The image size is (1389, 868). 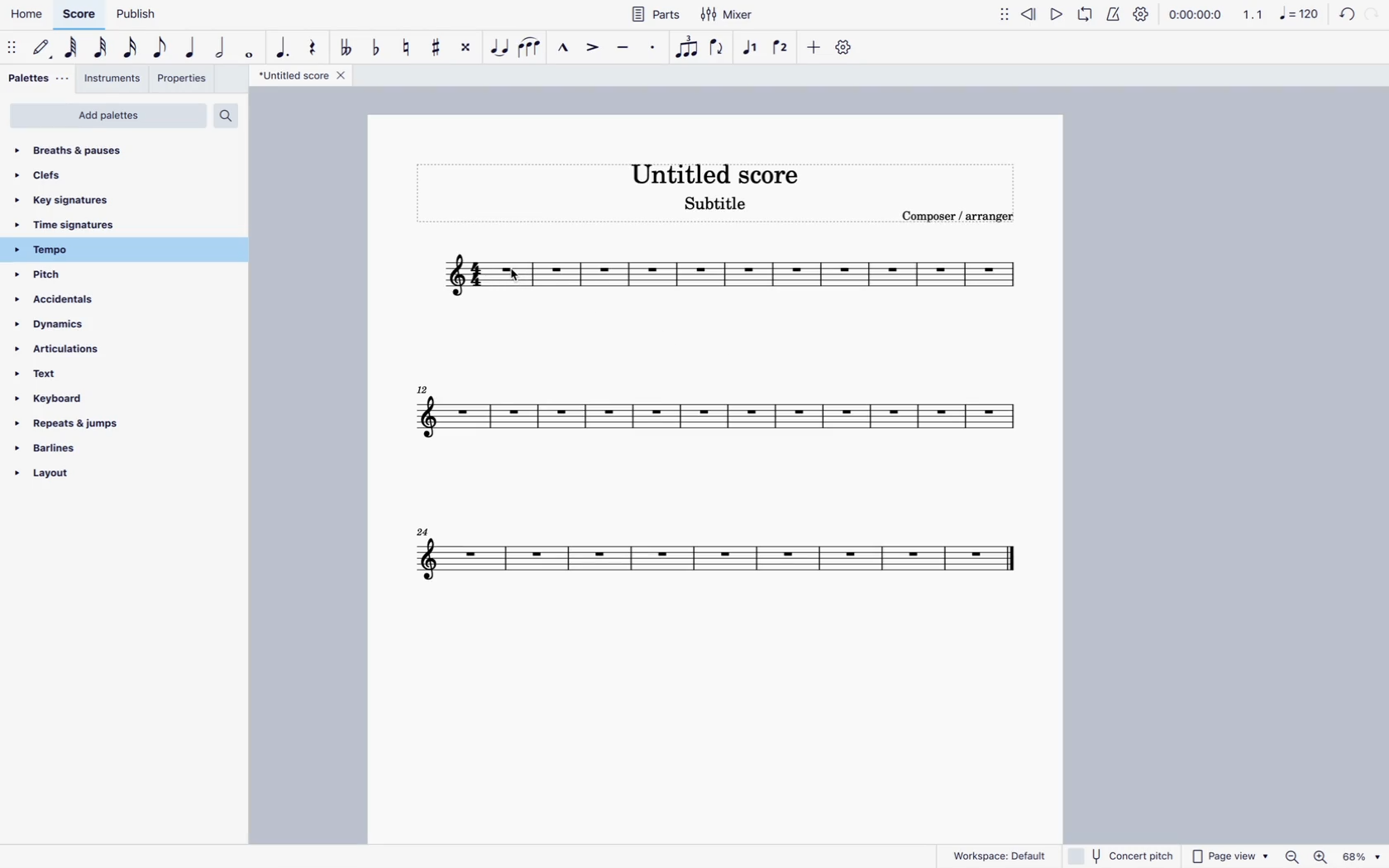 I want to click on breaths & pauses, so click(x=125, y=148).